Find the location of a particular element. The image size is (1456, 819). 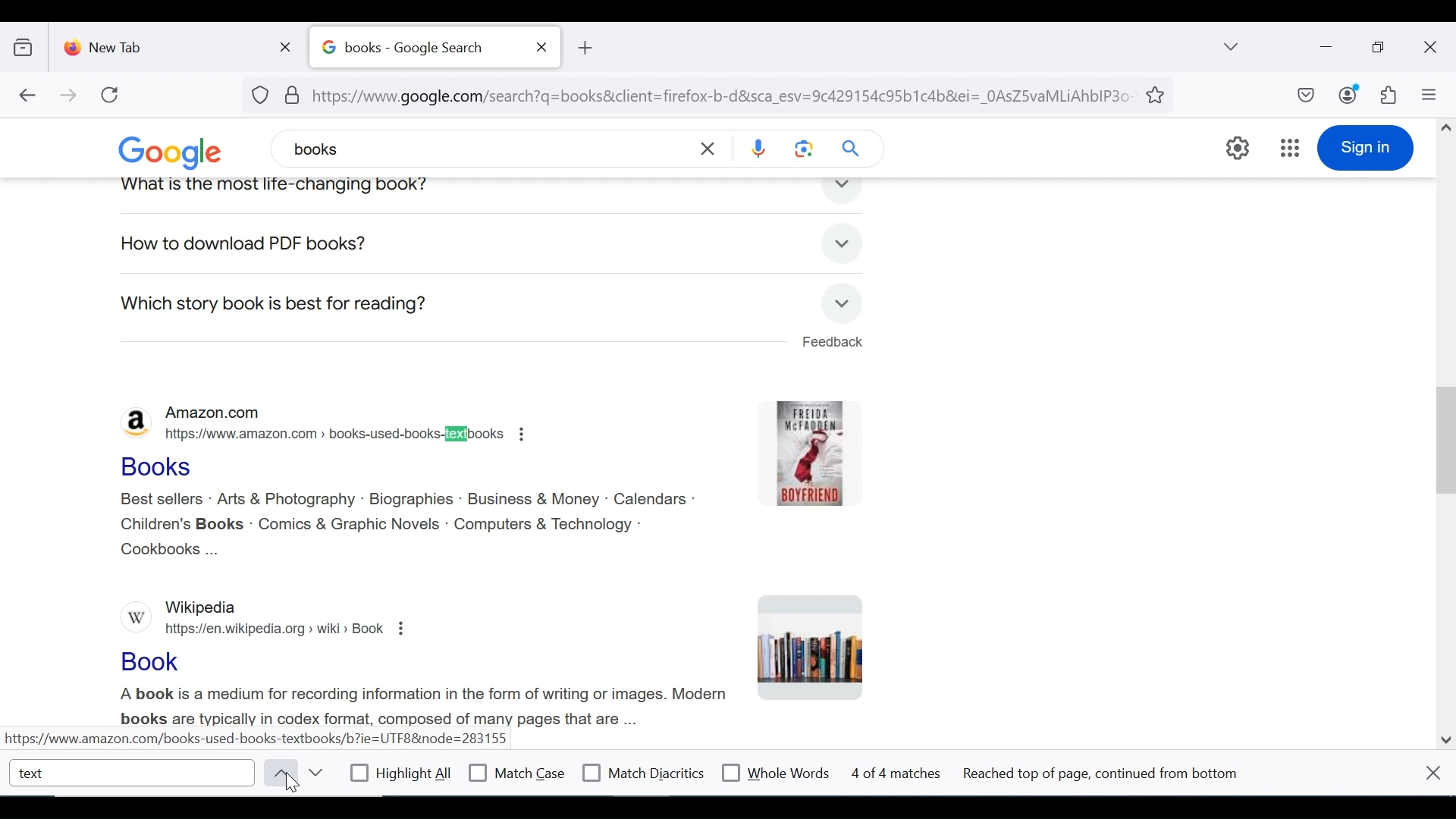

tools is located at coordinates (855, 246).